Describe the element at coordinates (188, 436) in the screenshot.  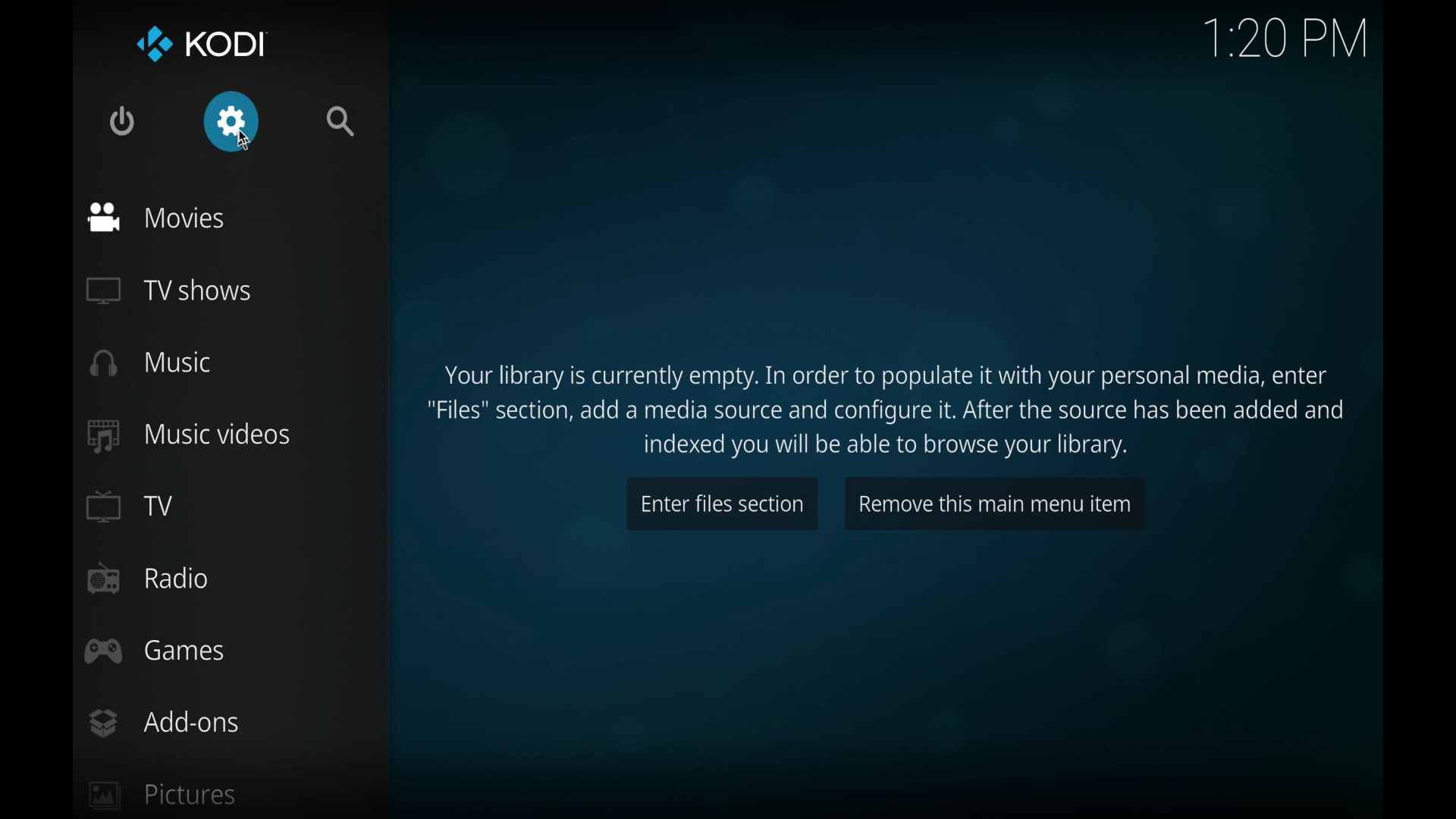
I see `music videos` at that location.